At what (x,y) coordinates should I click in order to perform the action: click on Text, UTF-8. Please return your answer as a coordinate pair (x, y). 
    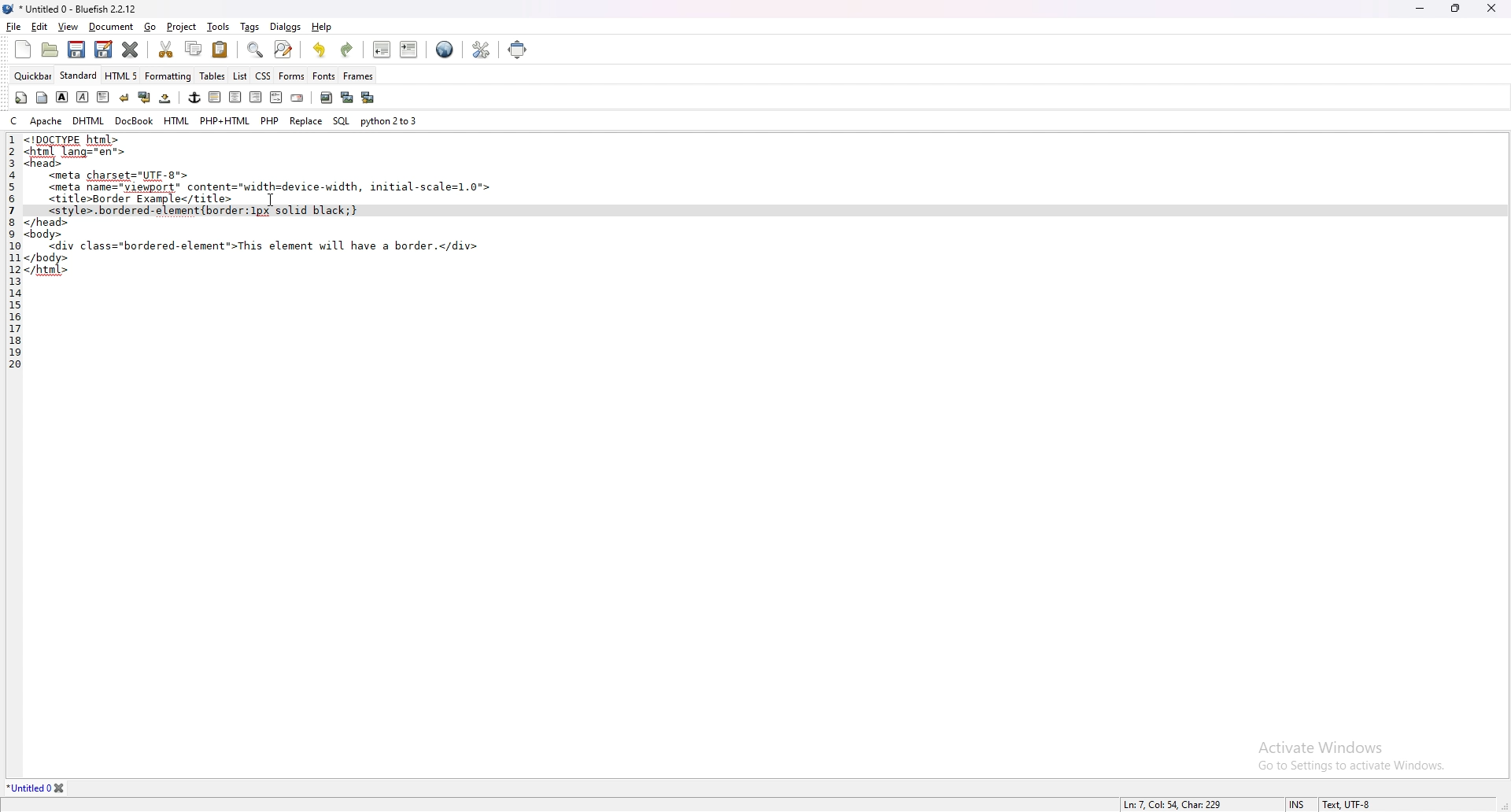
    Looking at the image, I should click on (1345, 804).